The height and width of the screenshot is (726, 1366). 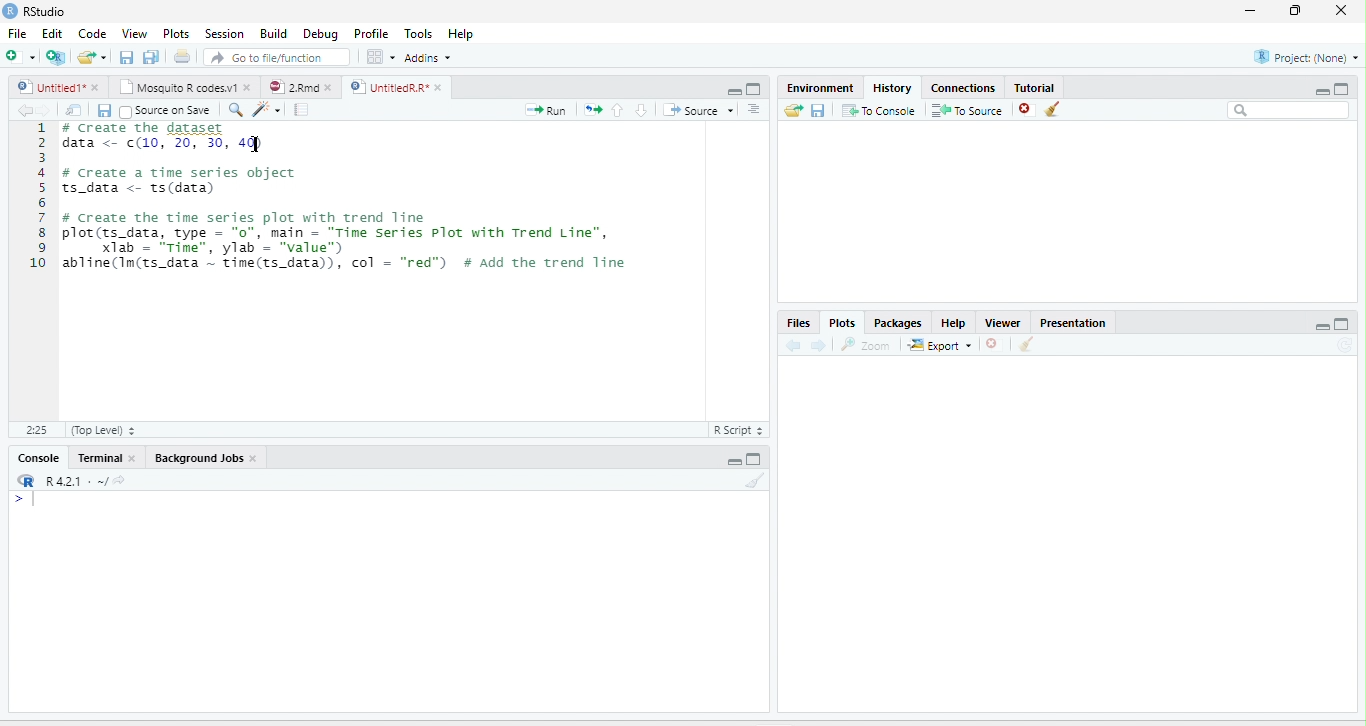 I want to click on Save current document, so click(x=126, y=56).